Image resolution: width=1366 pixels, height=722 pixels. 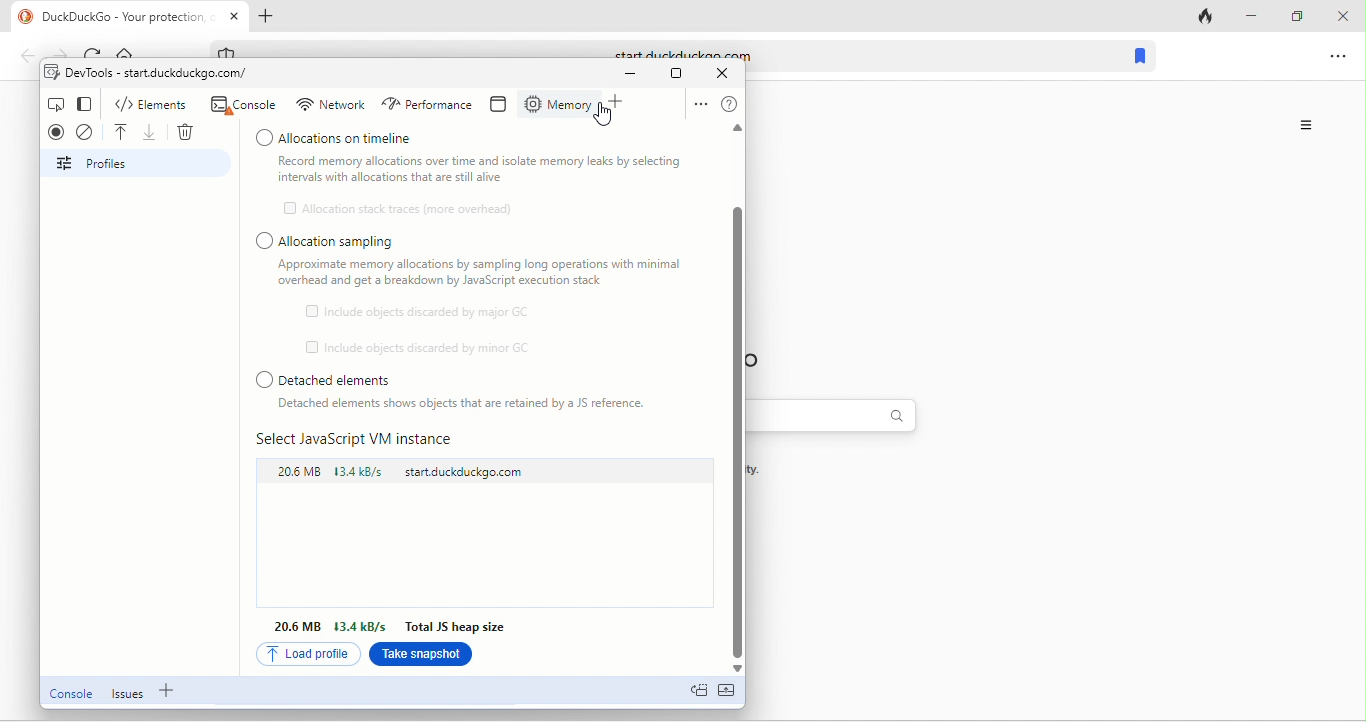 I want to click on cursor, so click(x=604, y=115).